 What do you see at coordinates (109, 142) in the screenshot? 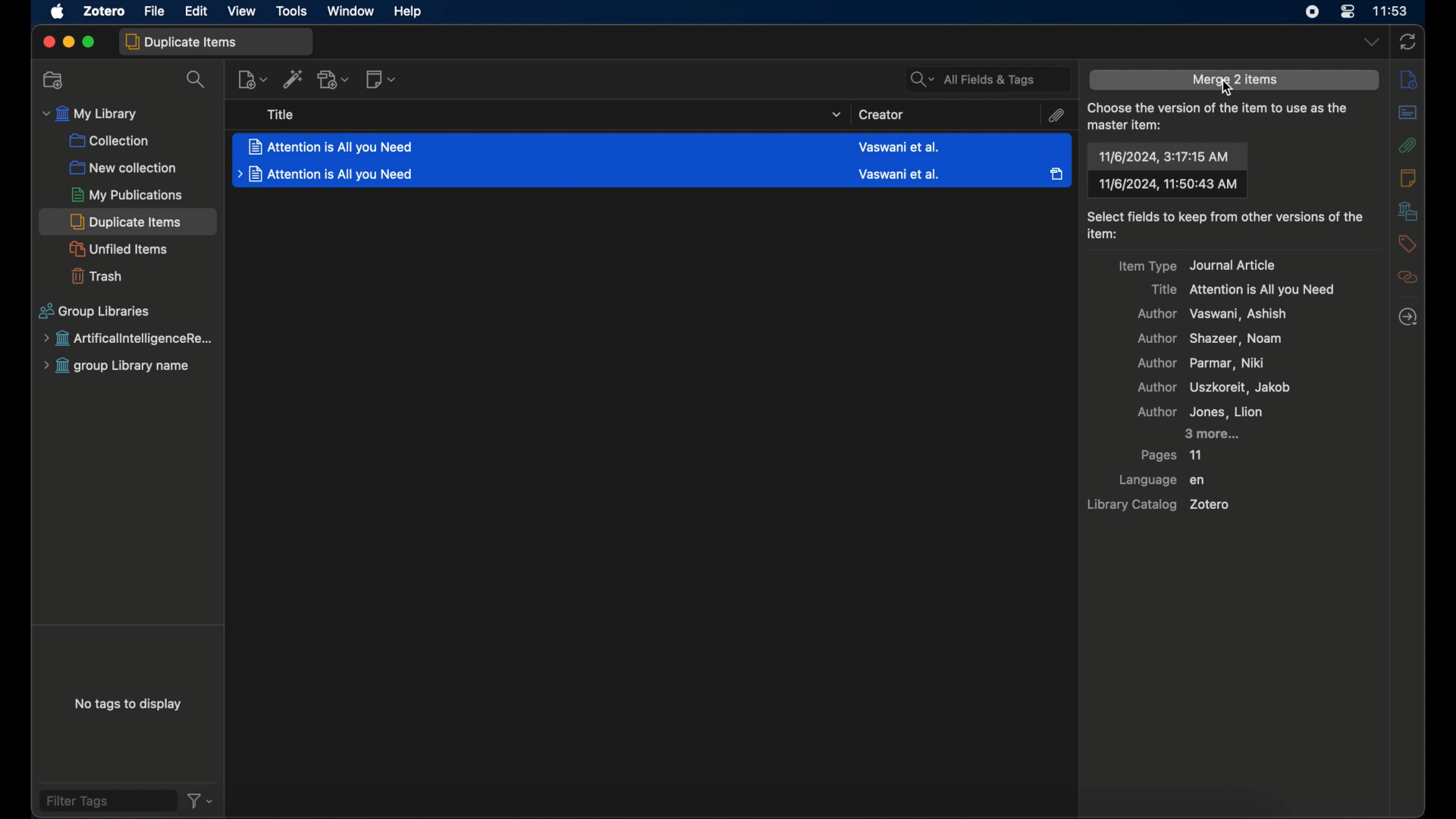
I see `collection` at bounding box center [109, 142].